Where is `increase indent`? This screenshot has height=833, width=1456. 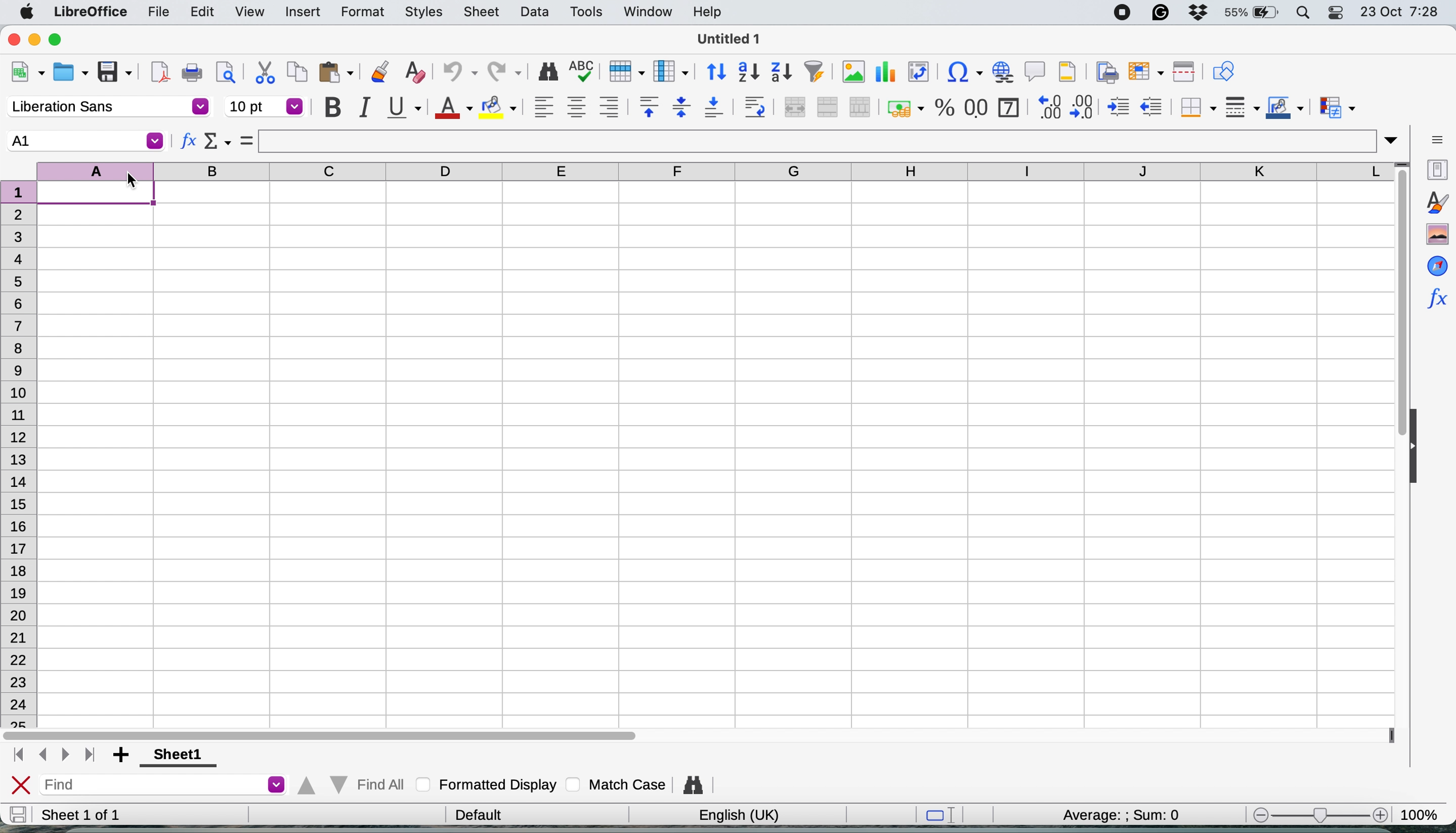 increase indent is located at coordinates (1117, 106).